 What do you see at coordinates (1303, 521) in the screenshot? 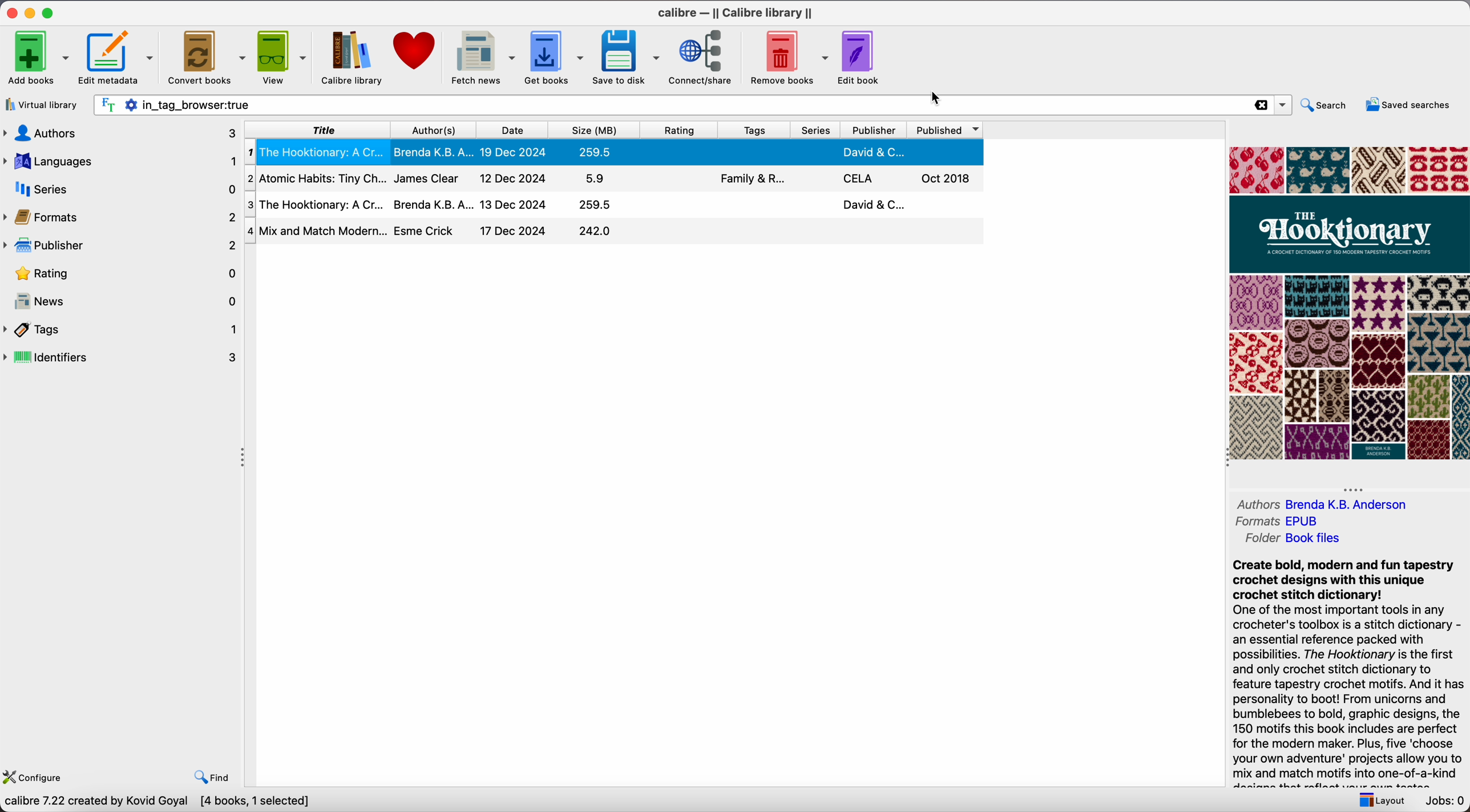
I see `EPUB` at bounding box center [1303, 521].